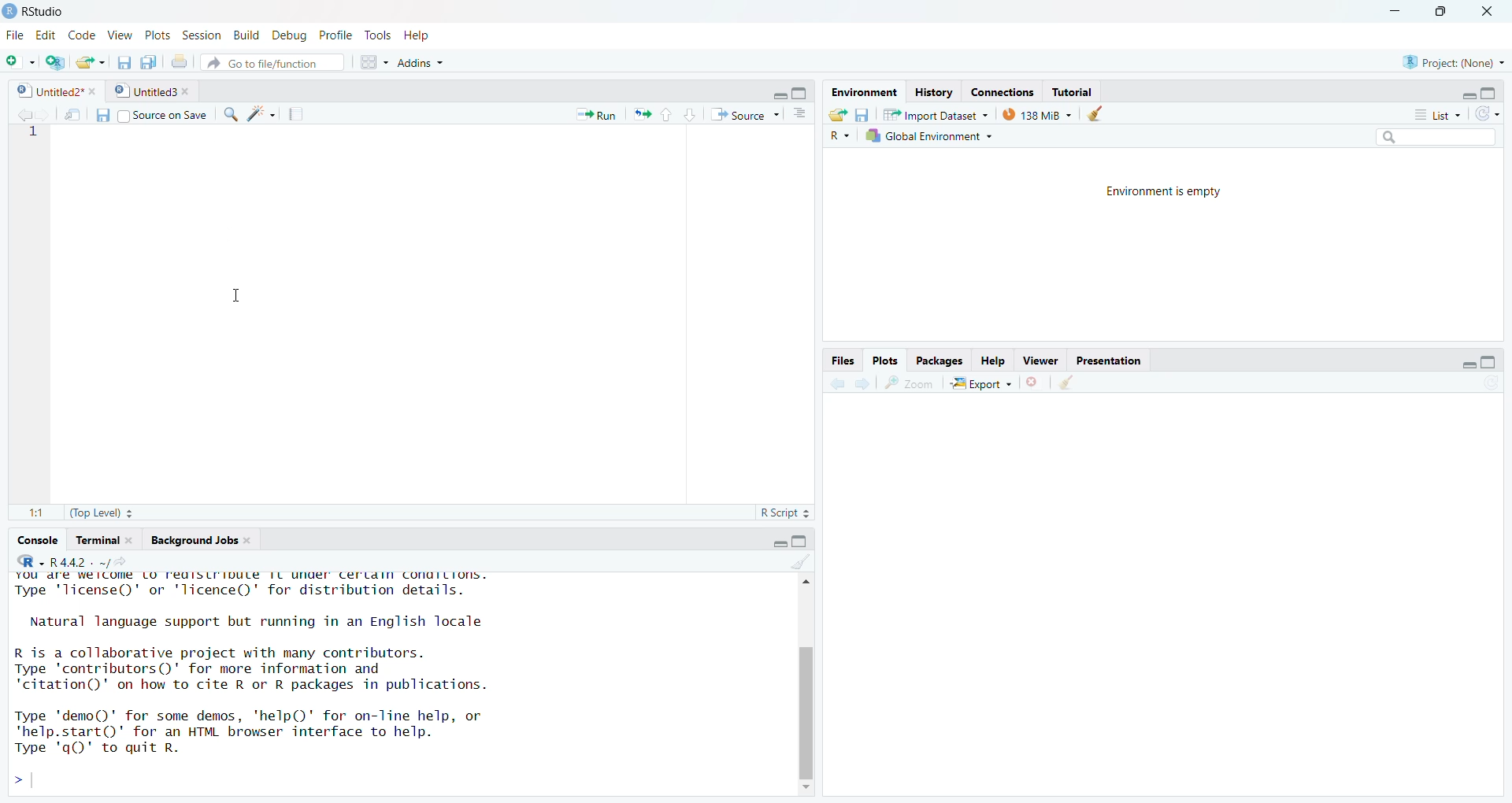 The width and height of the screenshot is (1512, 803). I want to click on Open file, so click(90, 61).